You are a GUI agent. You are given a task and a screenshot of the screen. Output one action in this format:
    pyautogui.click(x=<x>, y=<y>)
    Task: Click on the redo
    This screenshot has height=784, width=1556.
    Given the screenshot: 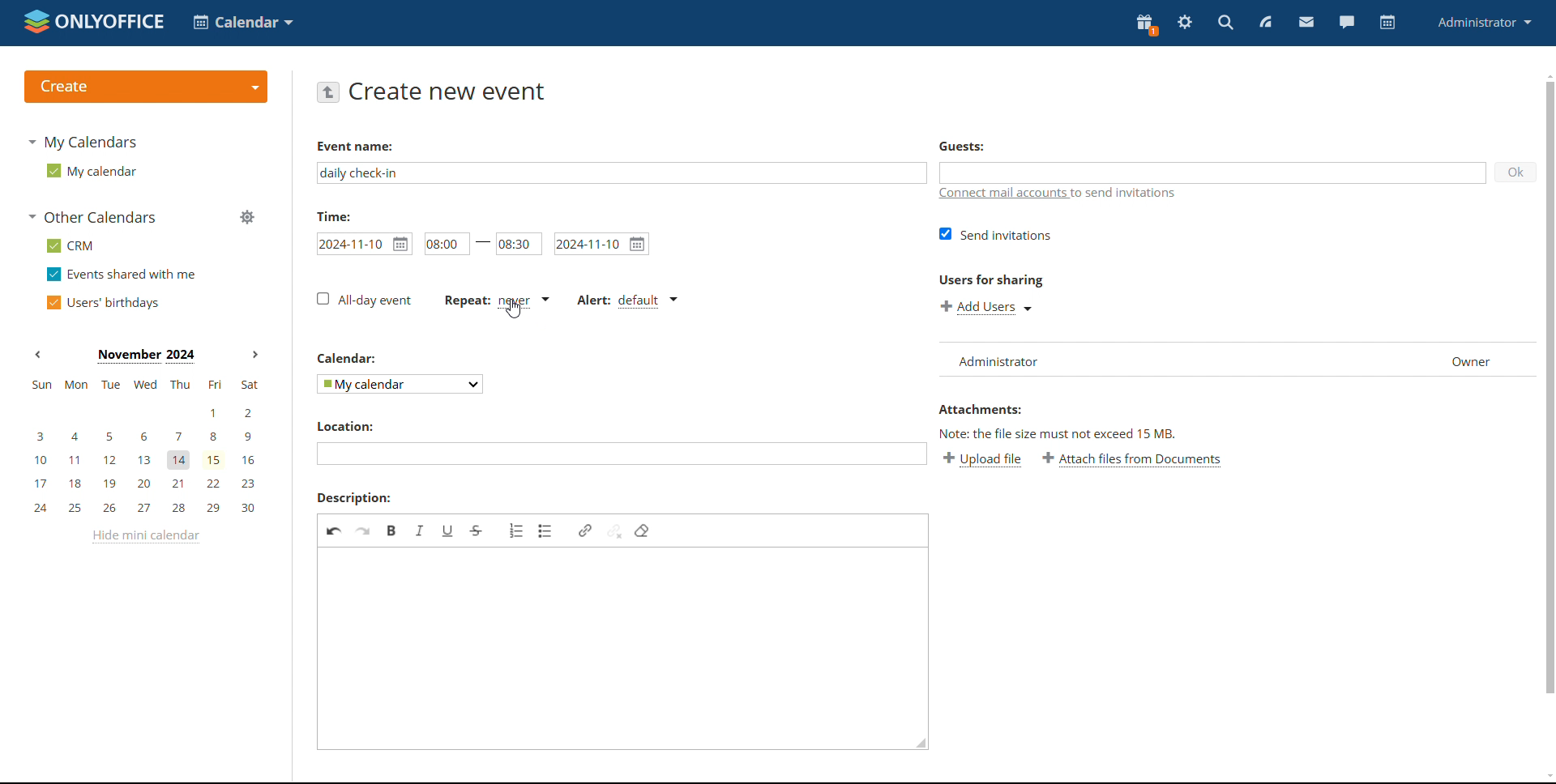 What is the action you would take?
    pyautogui.click(x=364, y=530)
    